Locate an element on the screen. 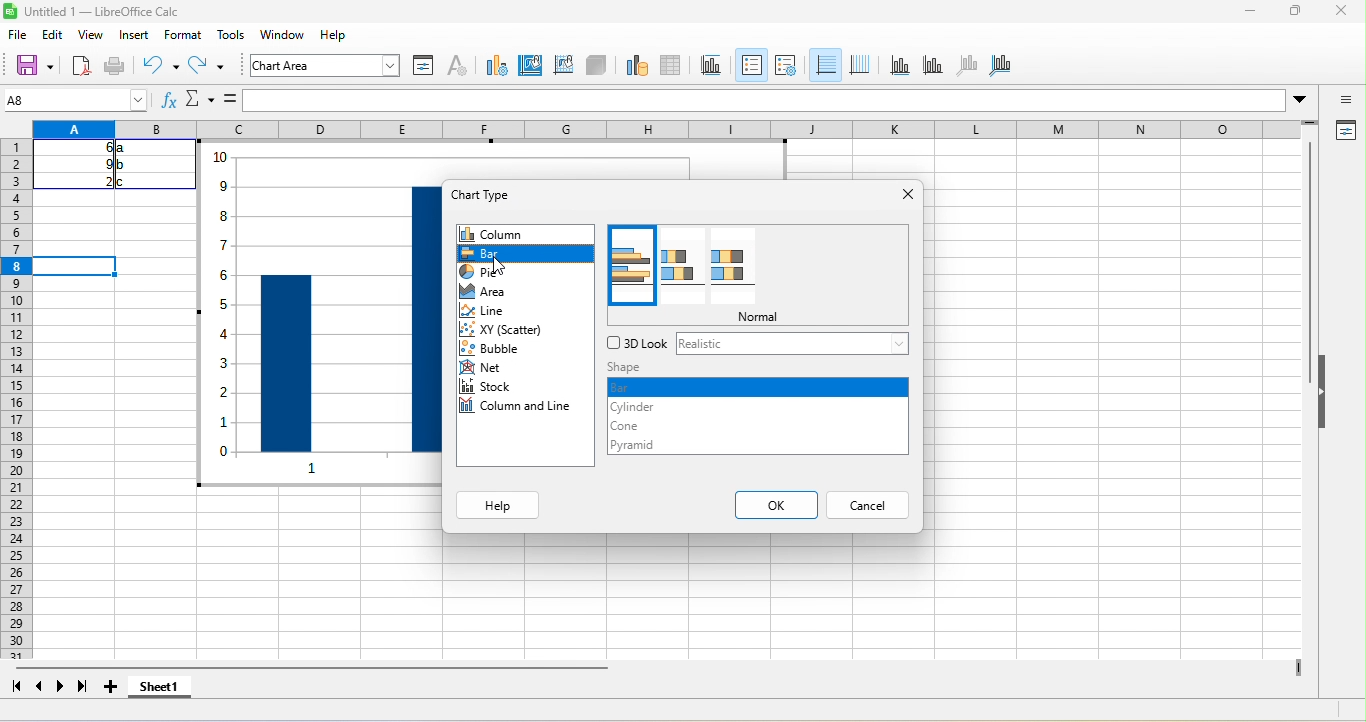  chart area is located at coordinates (532, 65).